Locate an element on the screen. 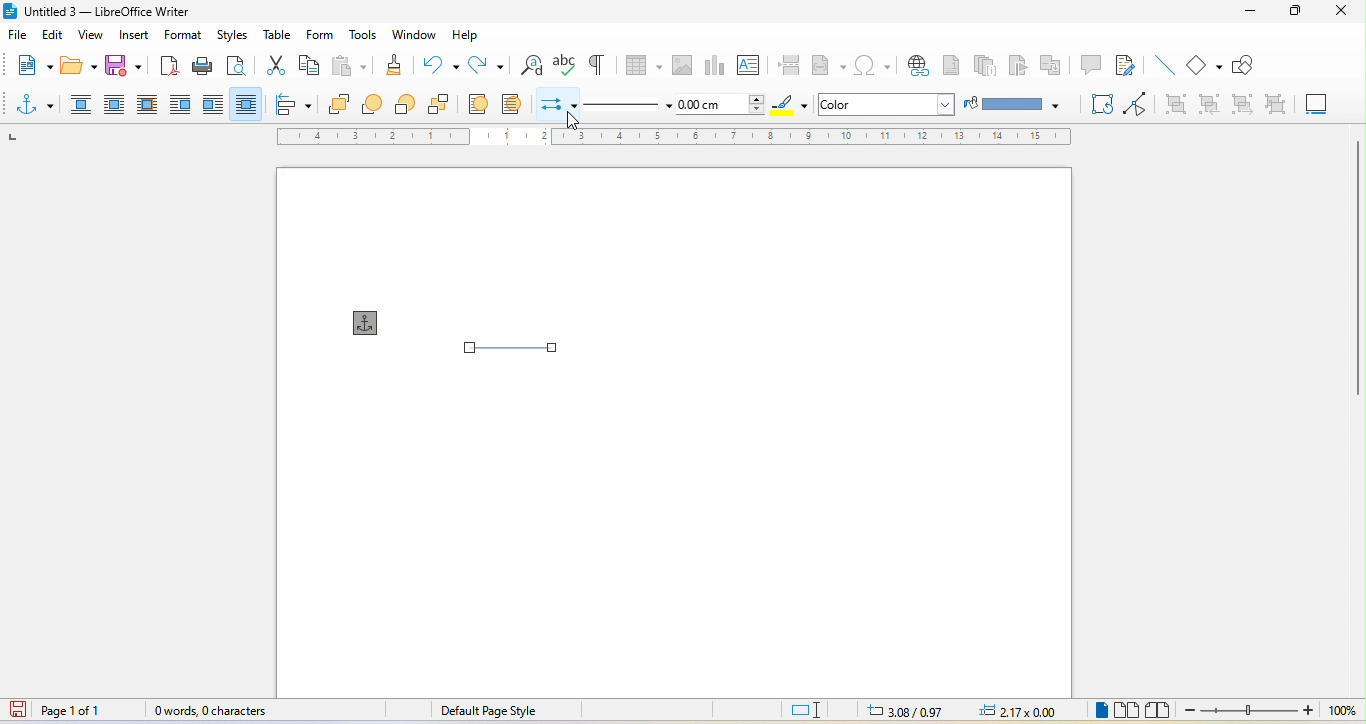 This screenshot has width=1366, height=724. click to save the document is located at coordinates (19, 712).